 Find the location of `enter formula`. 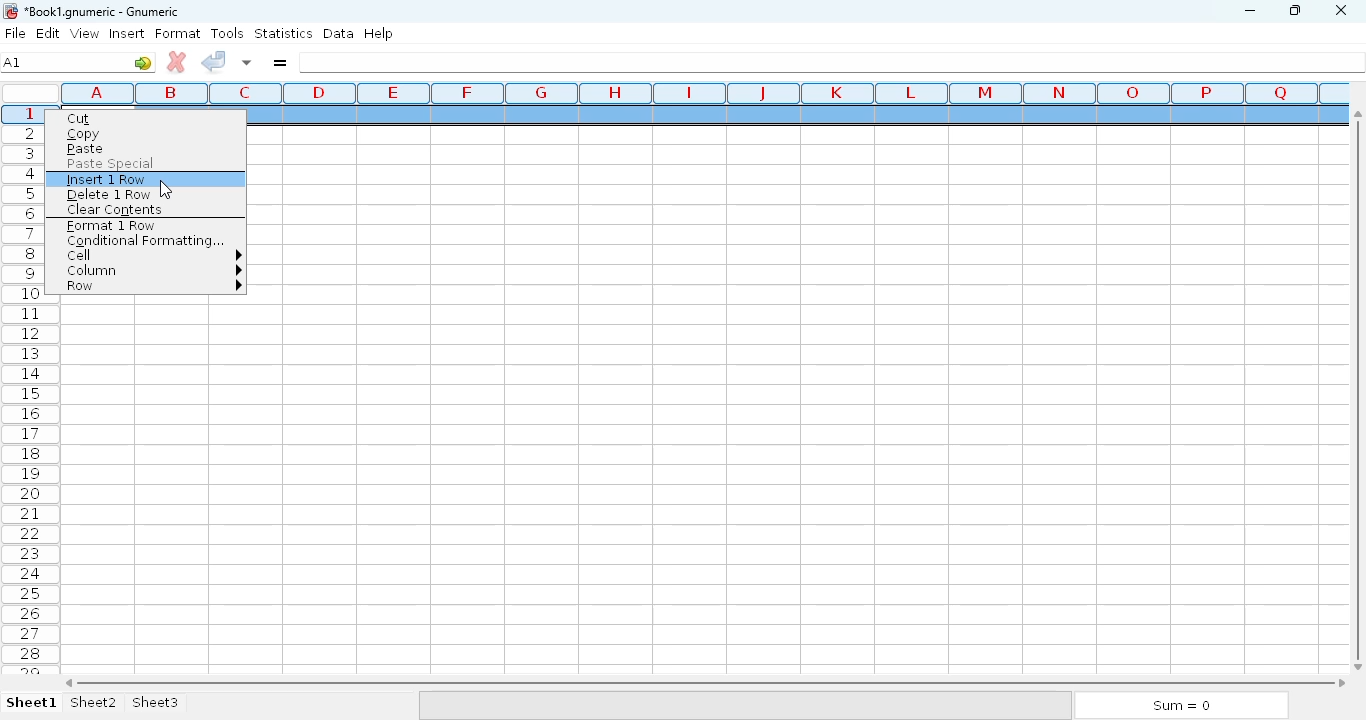

enter formula is located at coordinates (279, 62).